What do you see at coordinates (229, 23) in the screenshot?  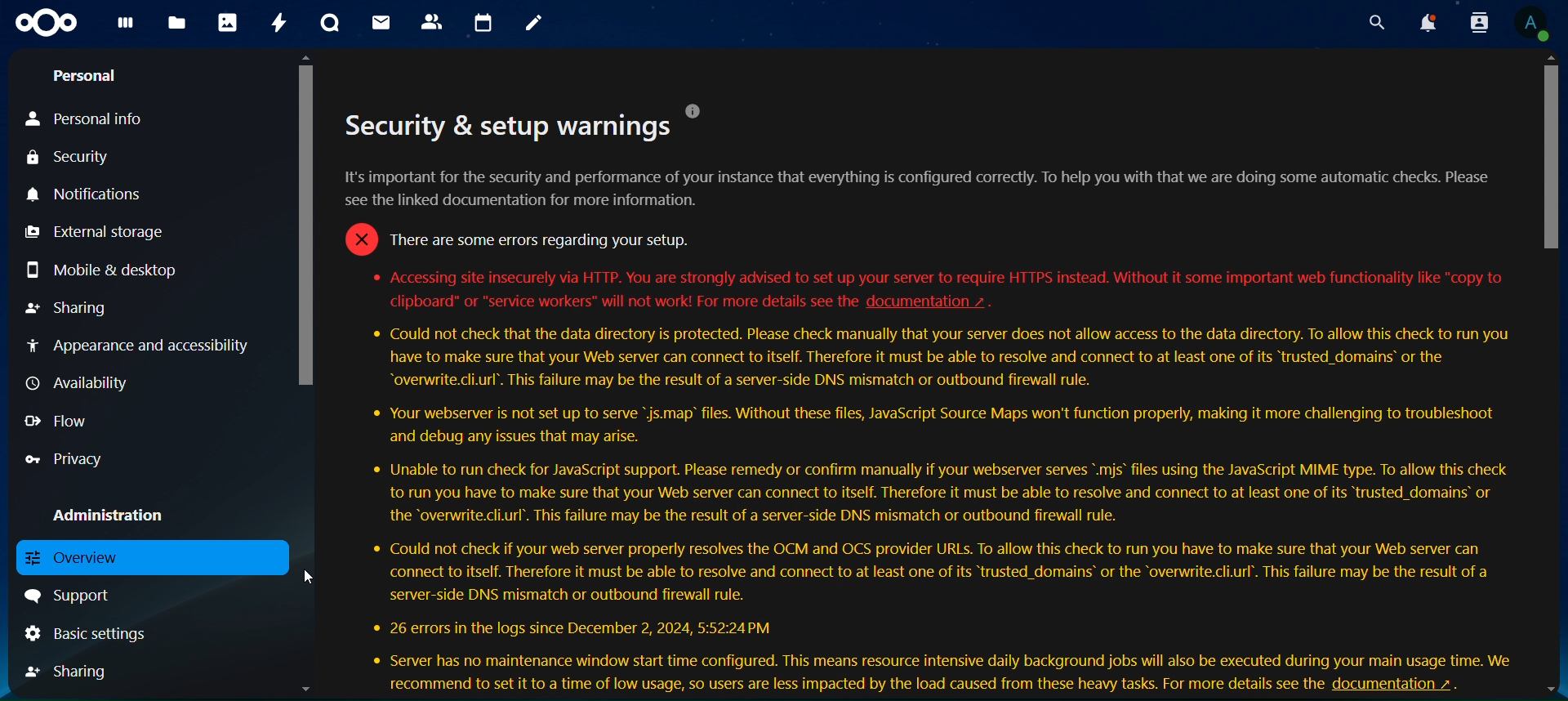 I see `photos` at bounding box center [229, 23].